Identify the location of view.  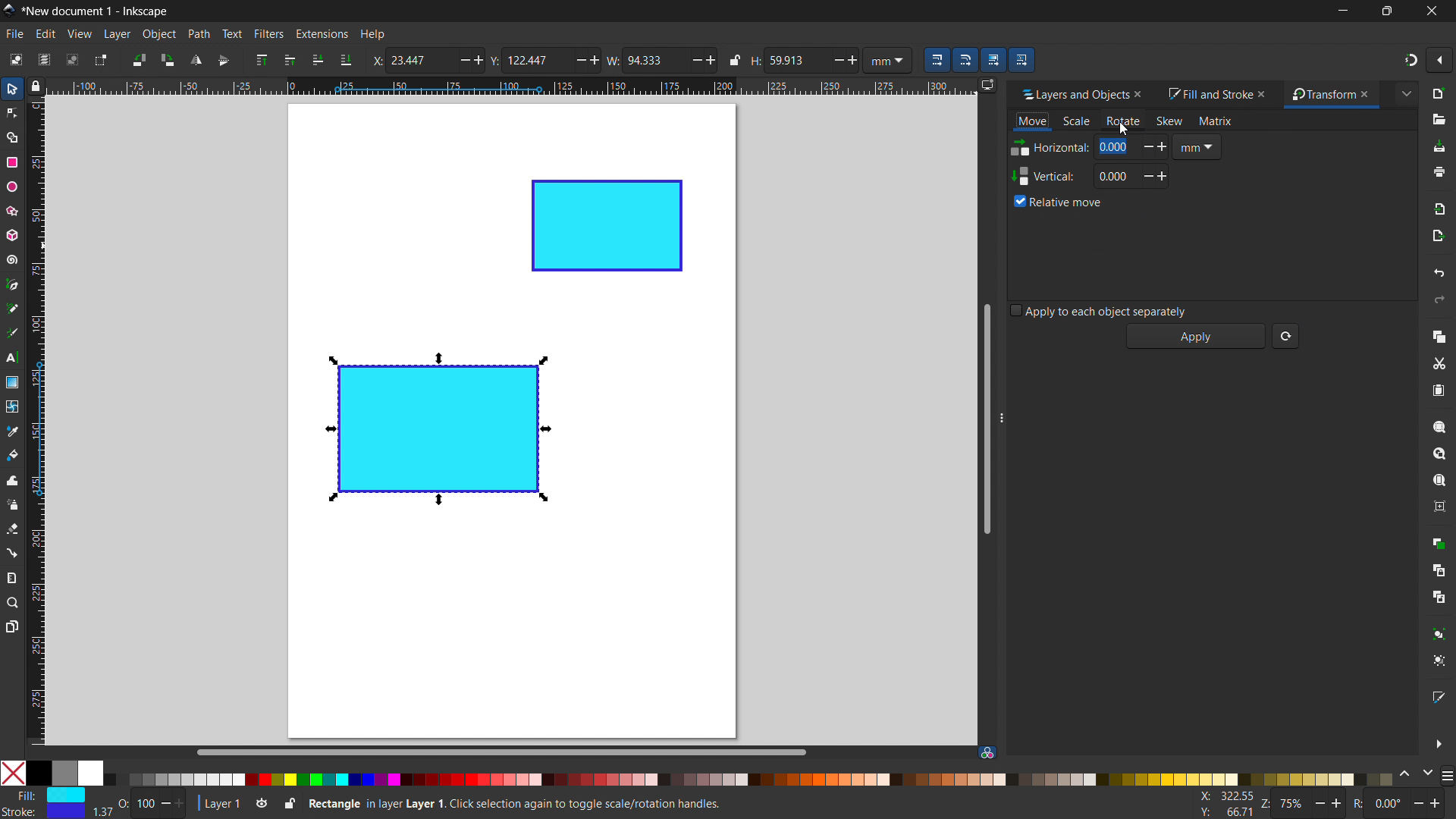
(79, 34).